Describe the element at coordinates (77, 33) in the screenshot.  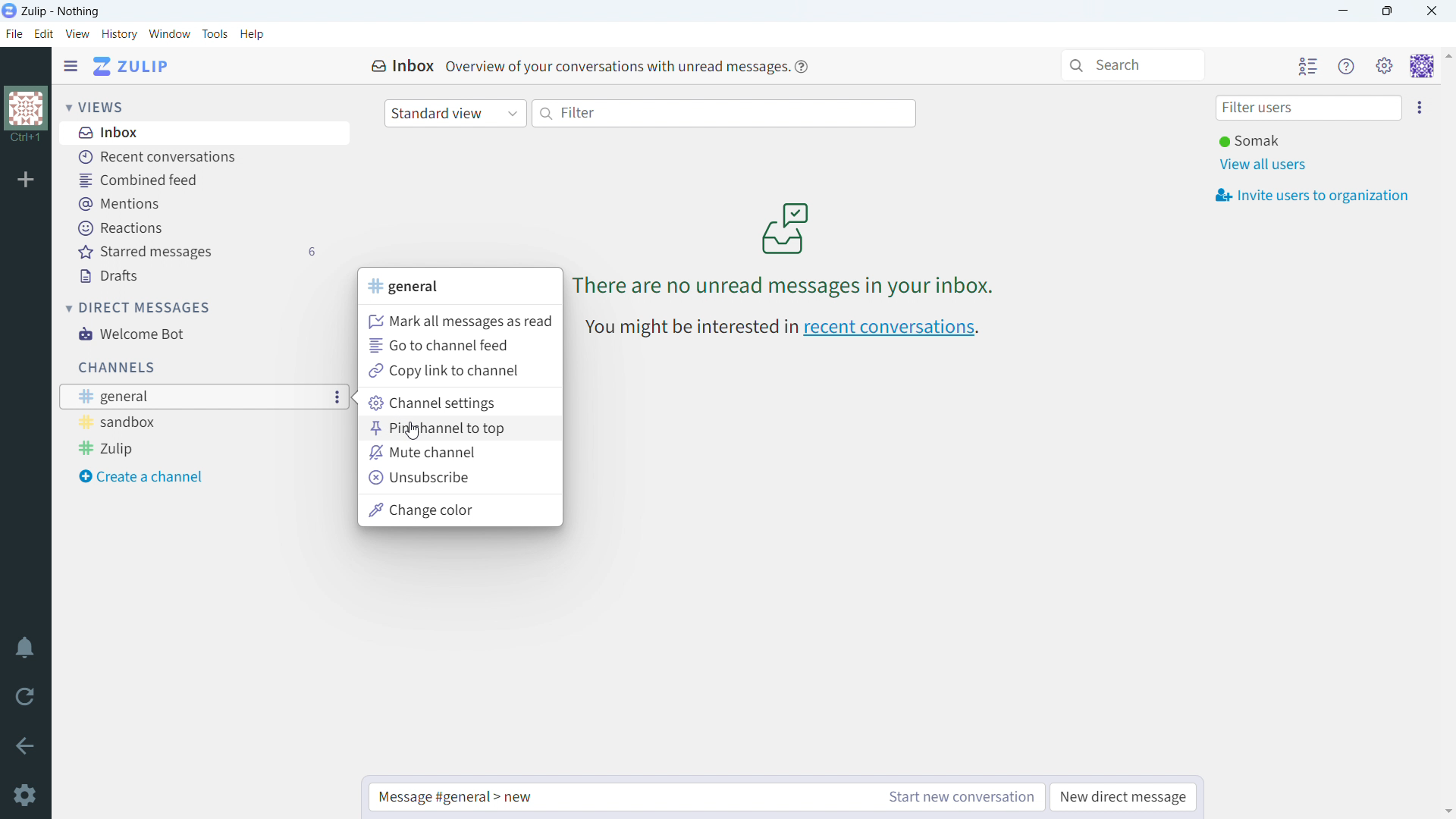
I see `view` at that location.